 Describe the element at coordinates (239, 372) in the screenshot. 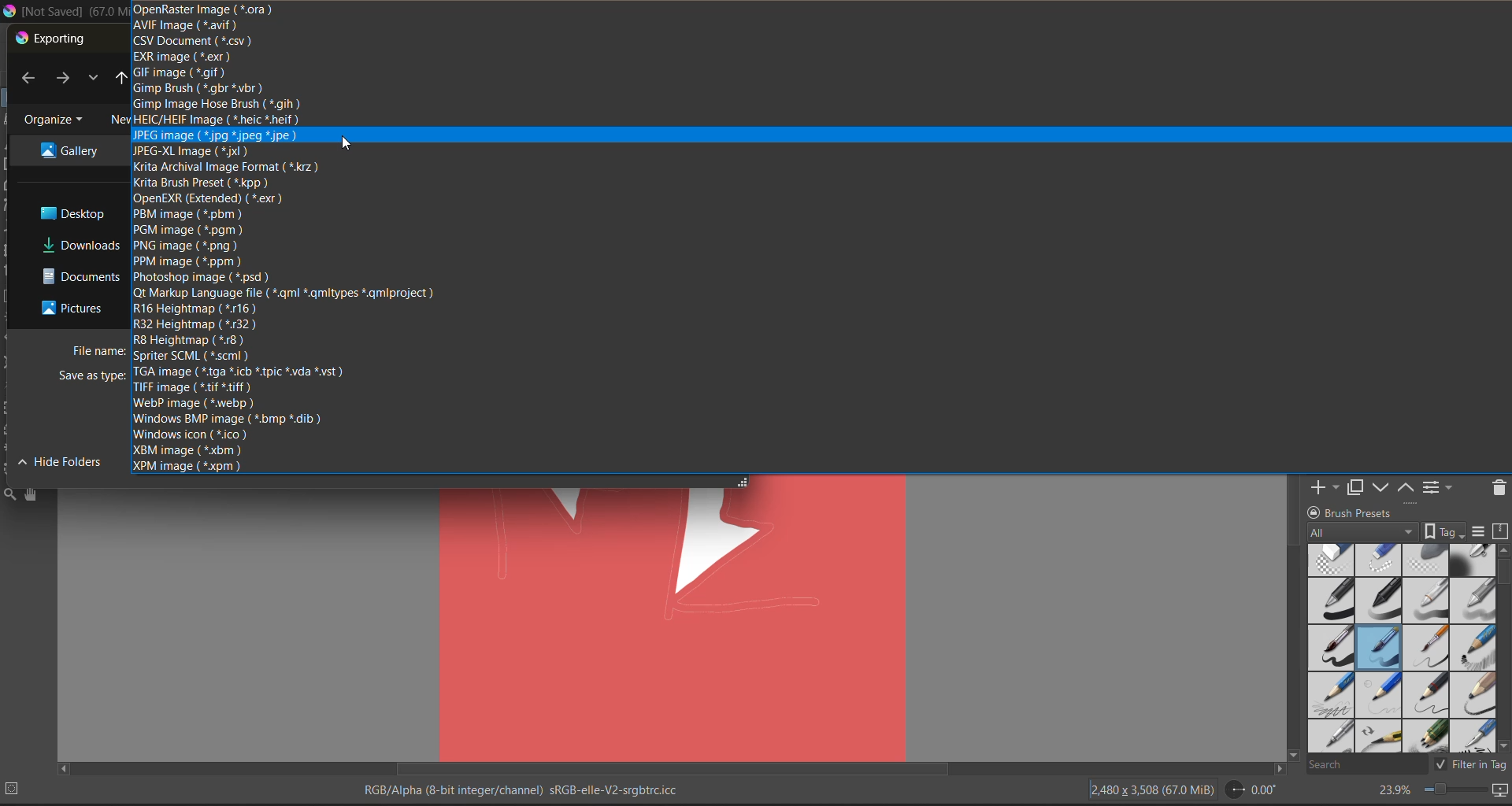

I see `tga image` at that location.